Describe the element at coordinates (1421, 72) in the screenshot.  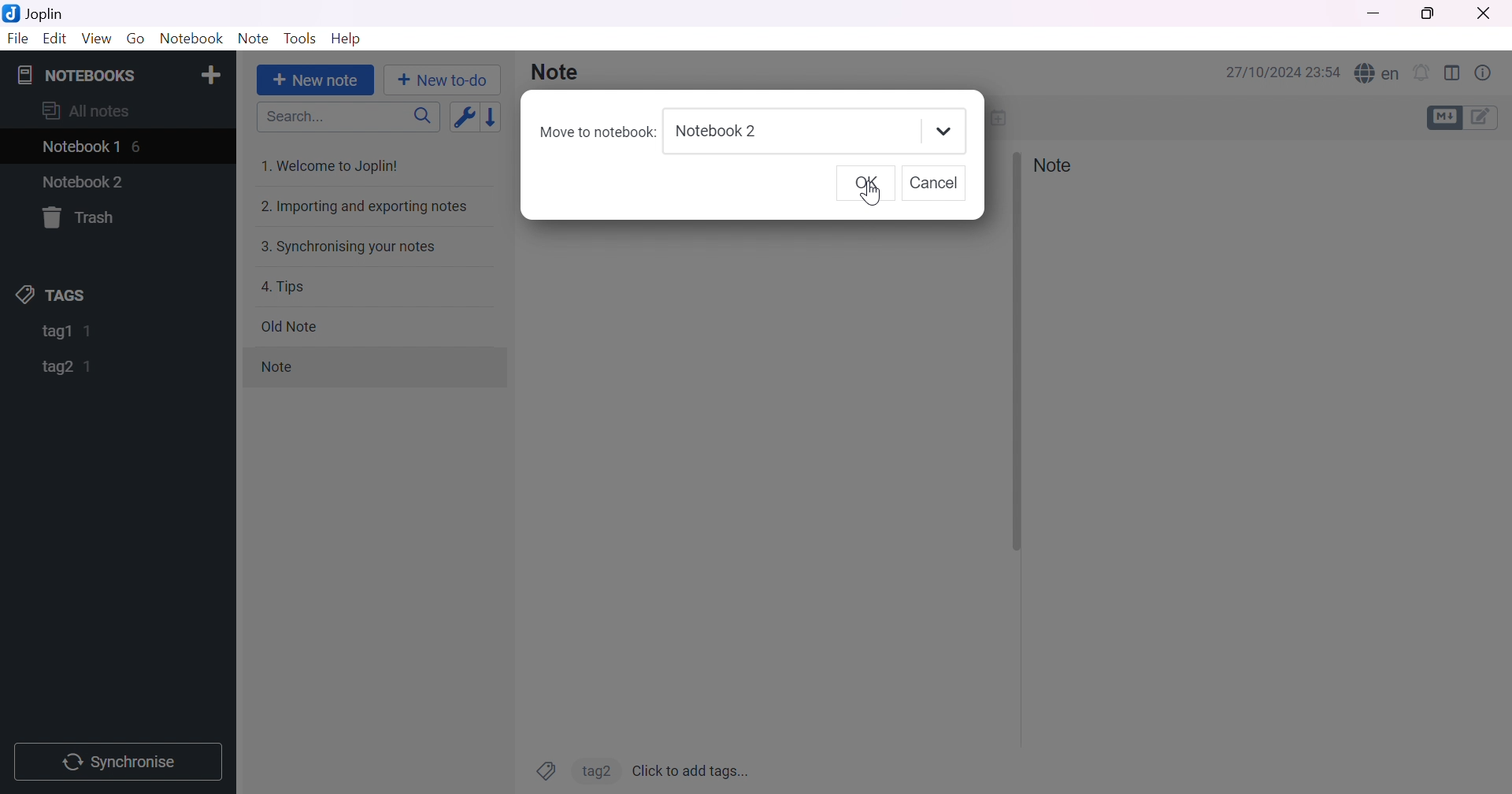
I see `Set alarm` at that location.